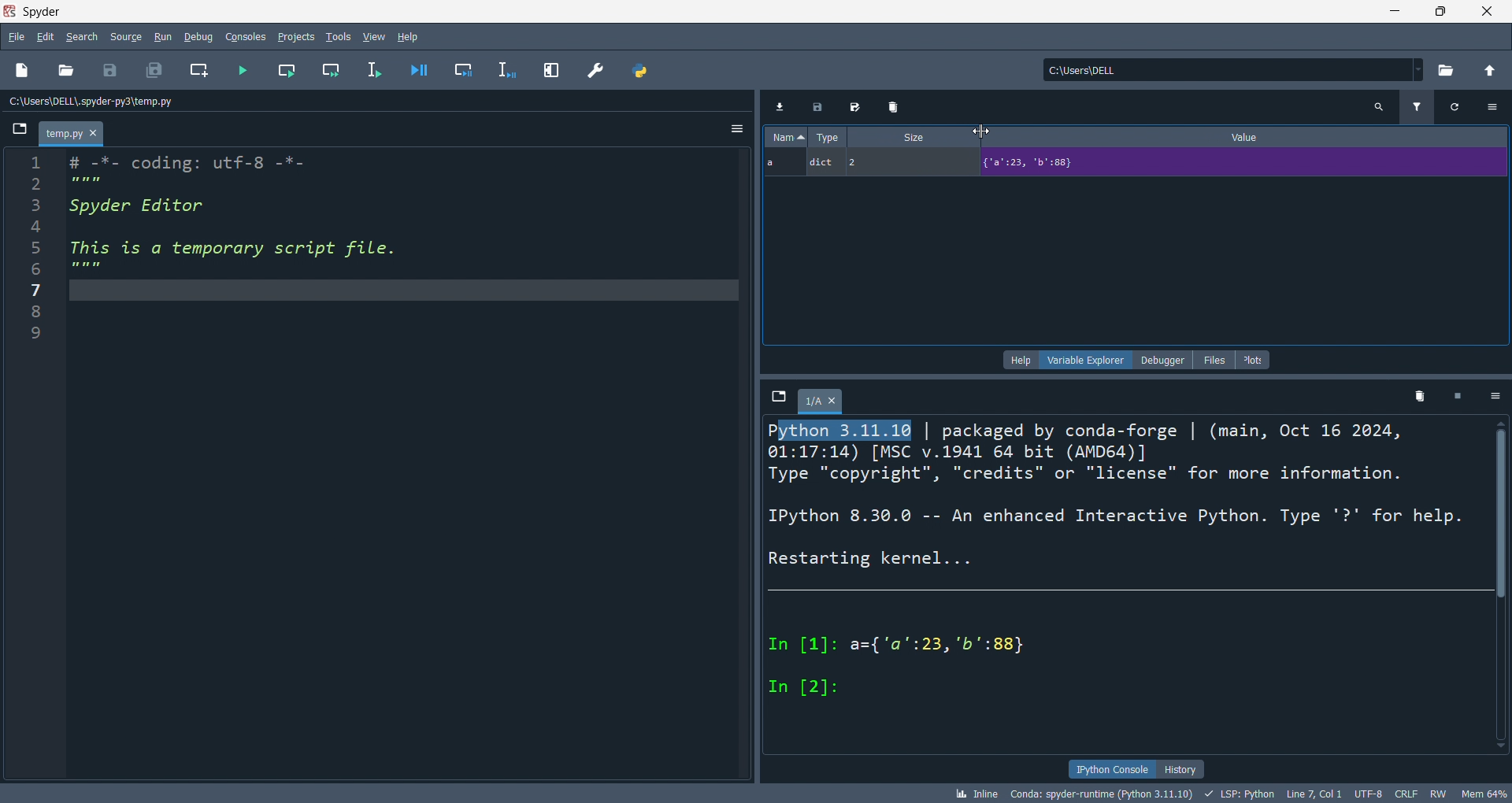  Describe the element at coordinates (1459, 398) in the screenshot. I see `close kernel` at that location.